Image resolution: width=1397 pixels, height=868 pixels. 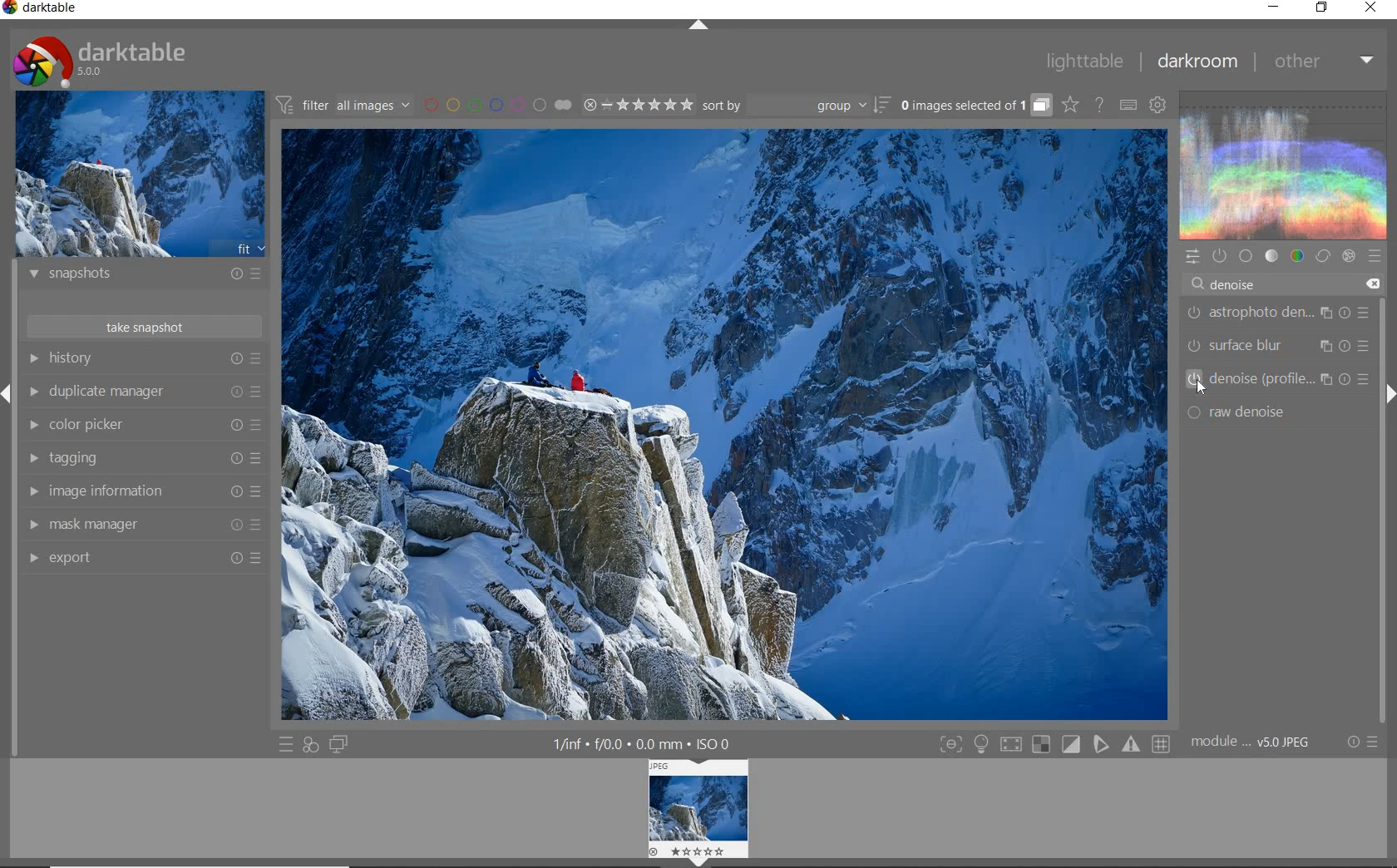 I want to click on click to change overlays on thumbnails, so click(x=1069, y=106).